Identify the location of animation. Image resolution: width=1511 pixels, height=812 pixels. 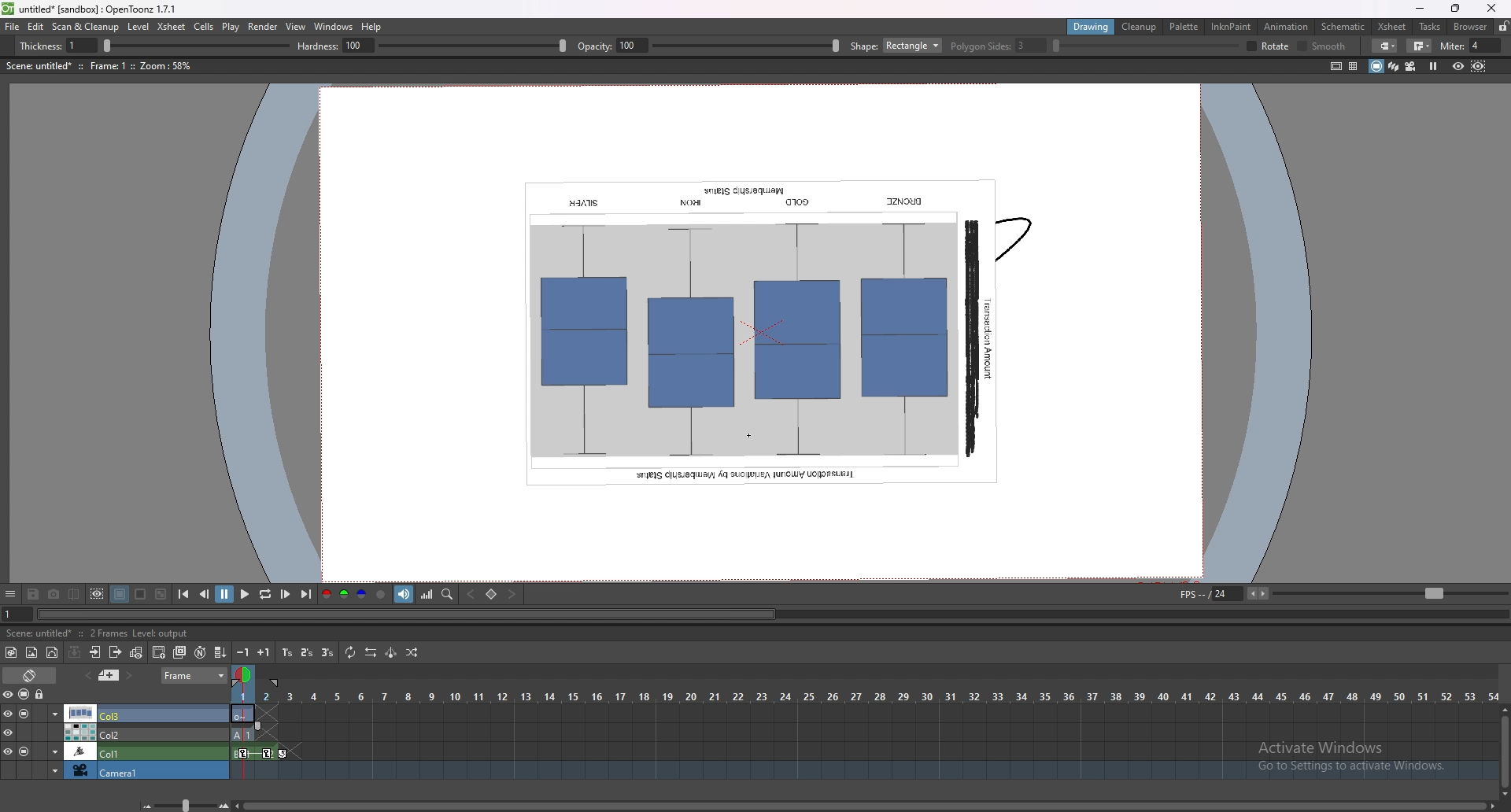
(1287, 27).